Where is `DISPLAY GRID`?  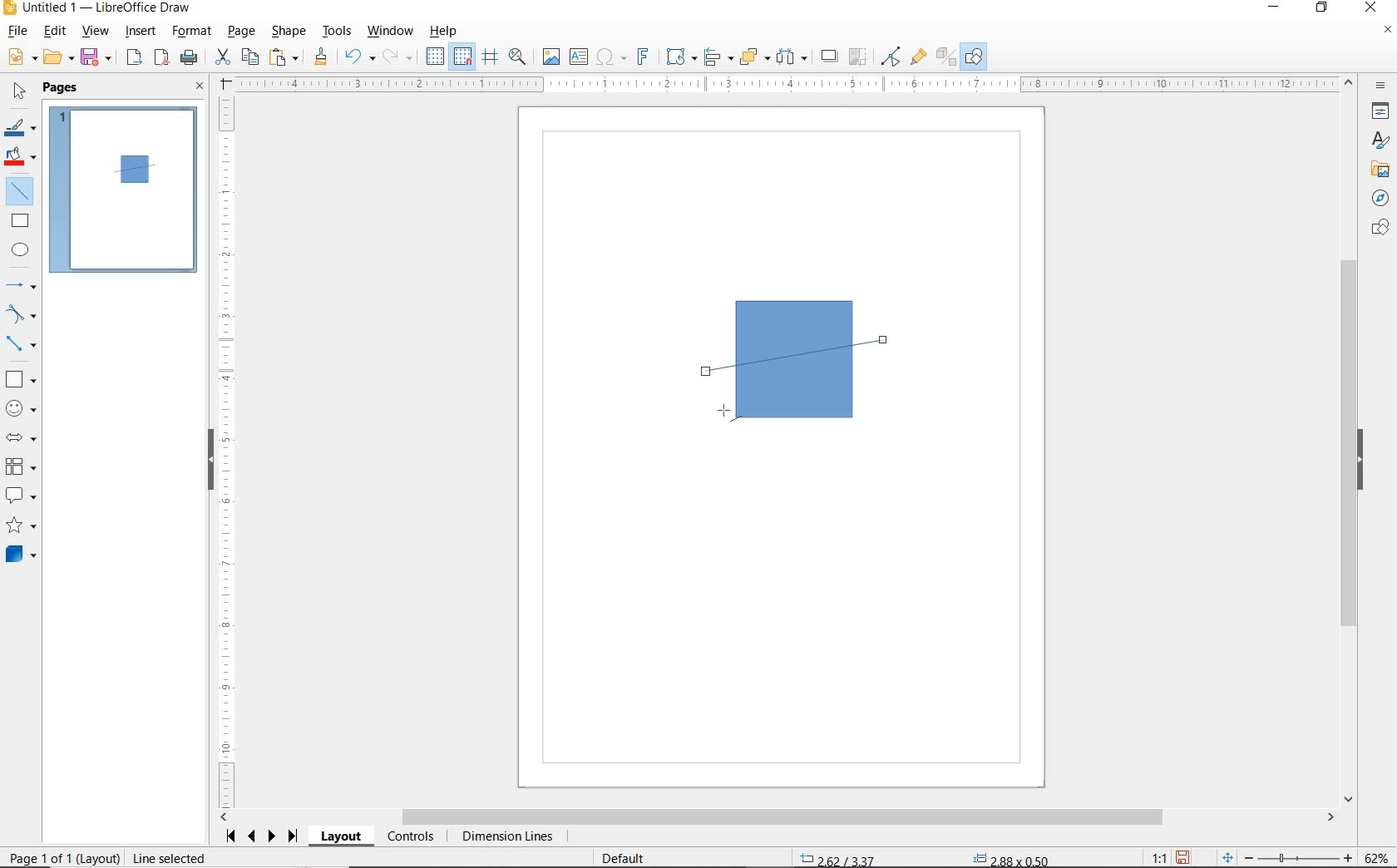
DISPLAY GRID is located at coordinates (437, 57).